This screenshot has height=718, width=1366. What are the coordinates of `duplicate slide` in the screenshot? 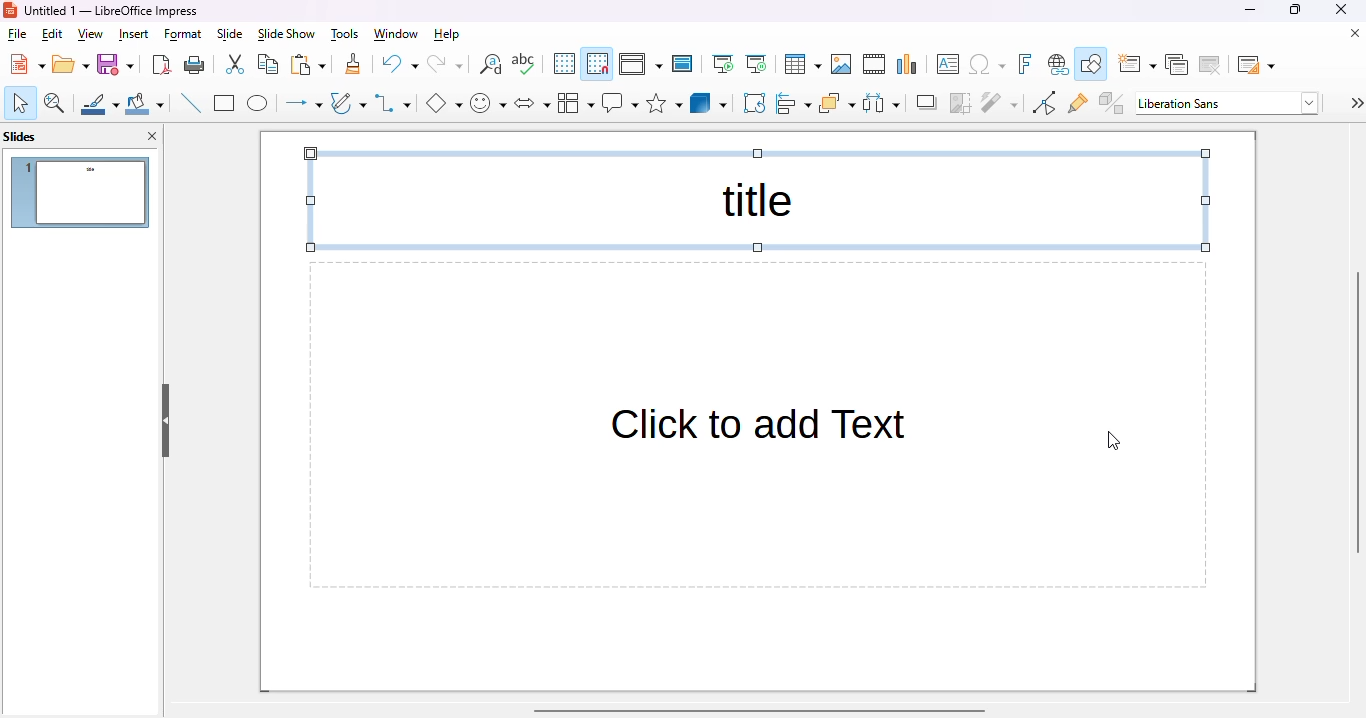 It's located at (1176, 64).